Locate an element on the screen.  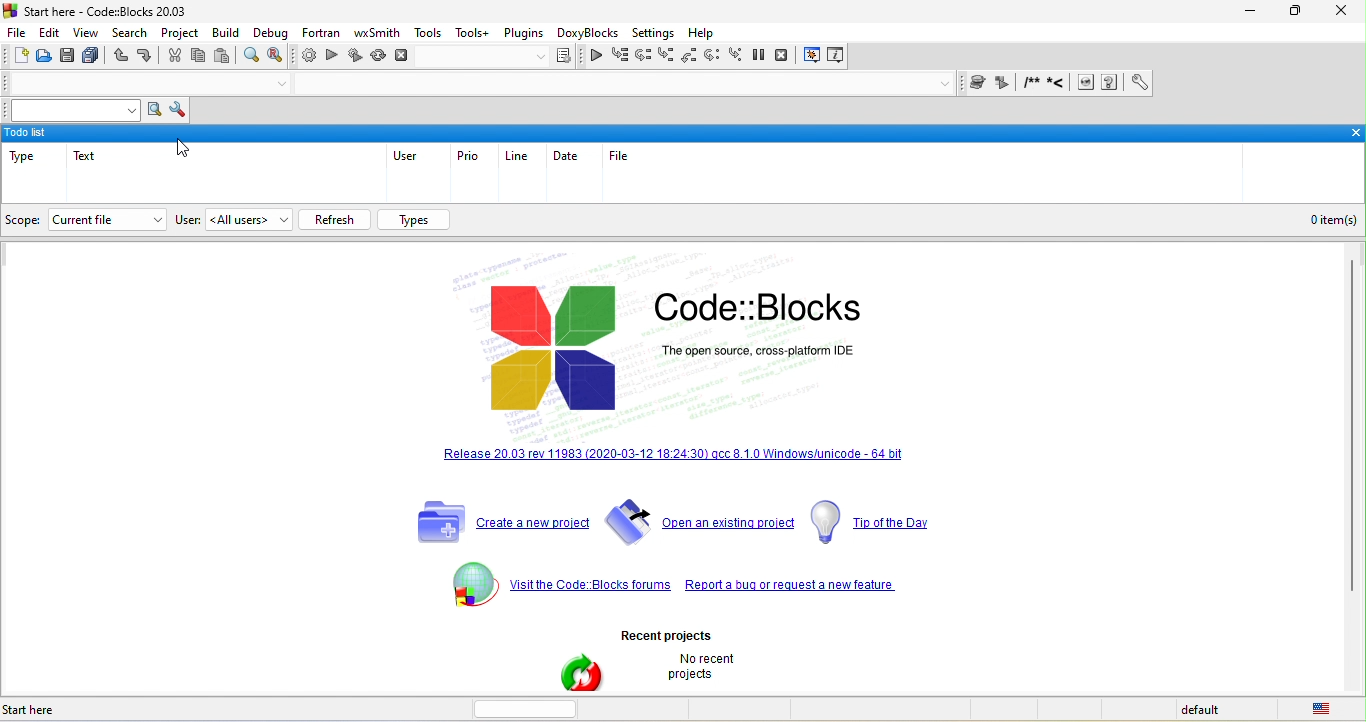
file is located at coordinates (20, 32).